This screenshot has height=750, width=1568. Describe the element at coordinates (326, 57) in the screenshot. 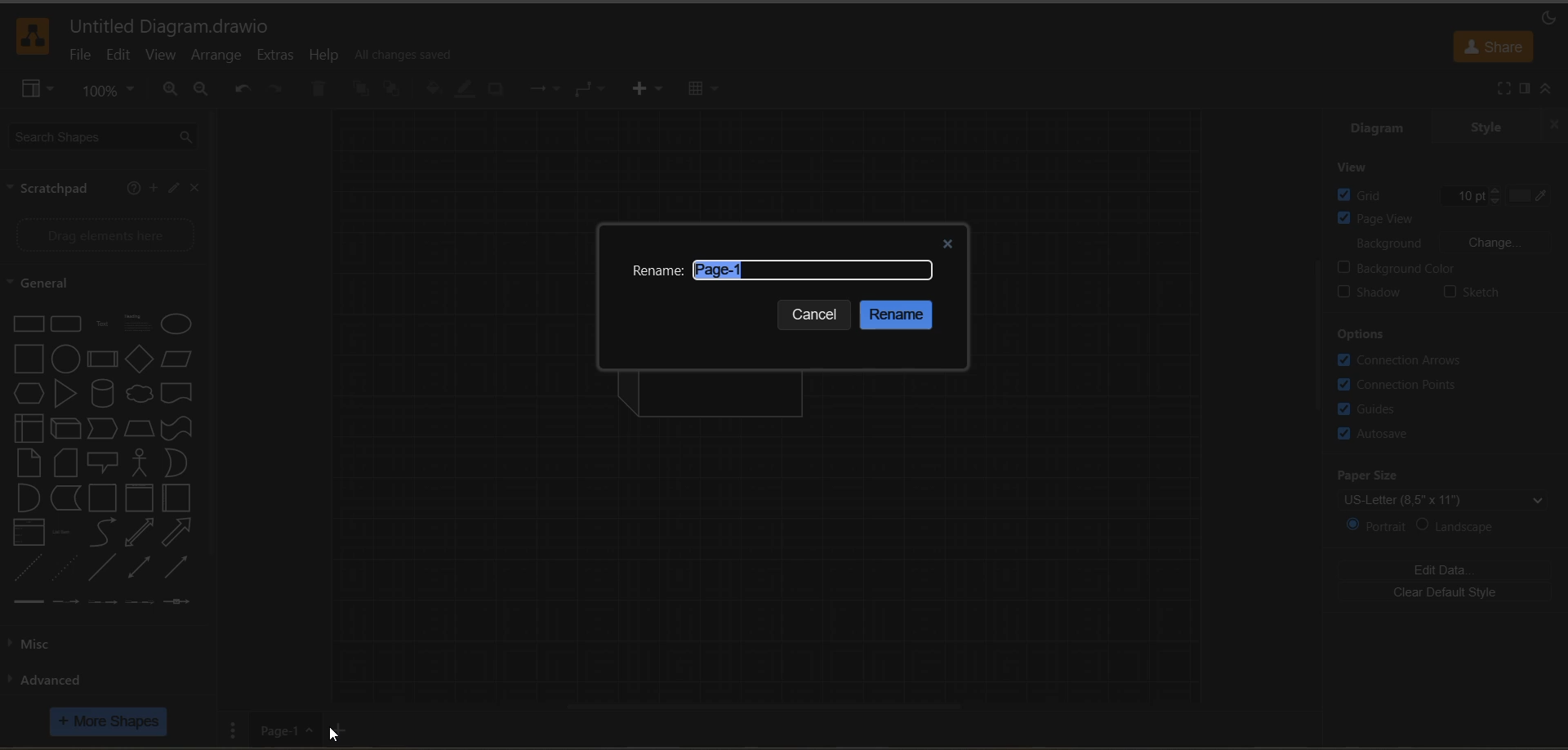

I see `help` at that location.